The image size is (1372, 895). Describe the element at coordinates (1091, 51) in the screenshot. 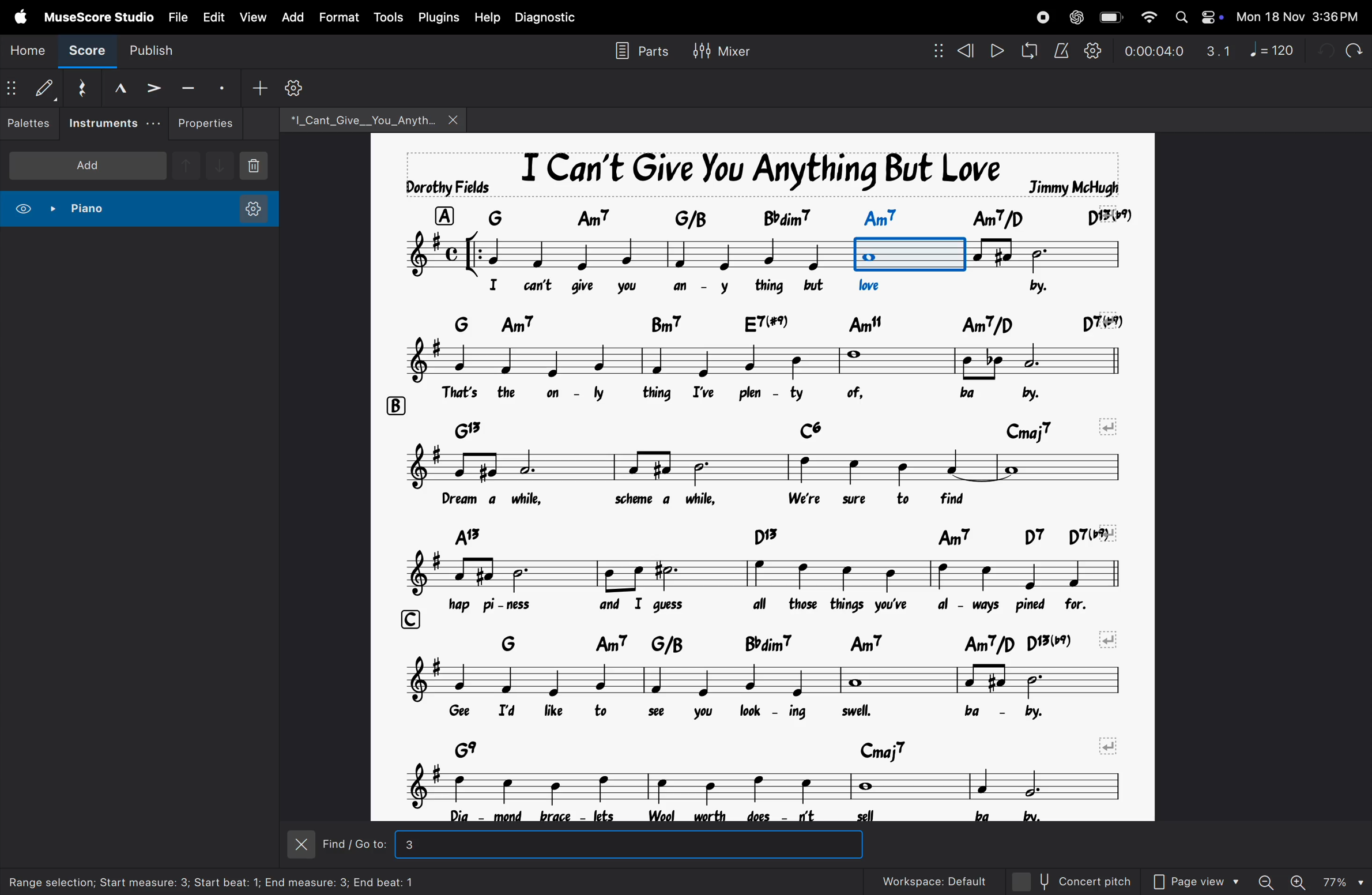

I see `playback settings` at that location.